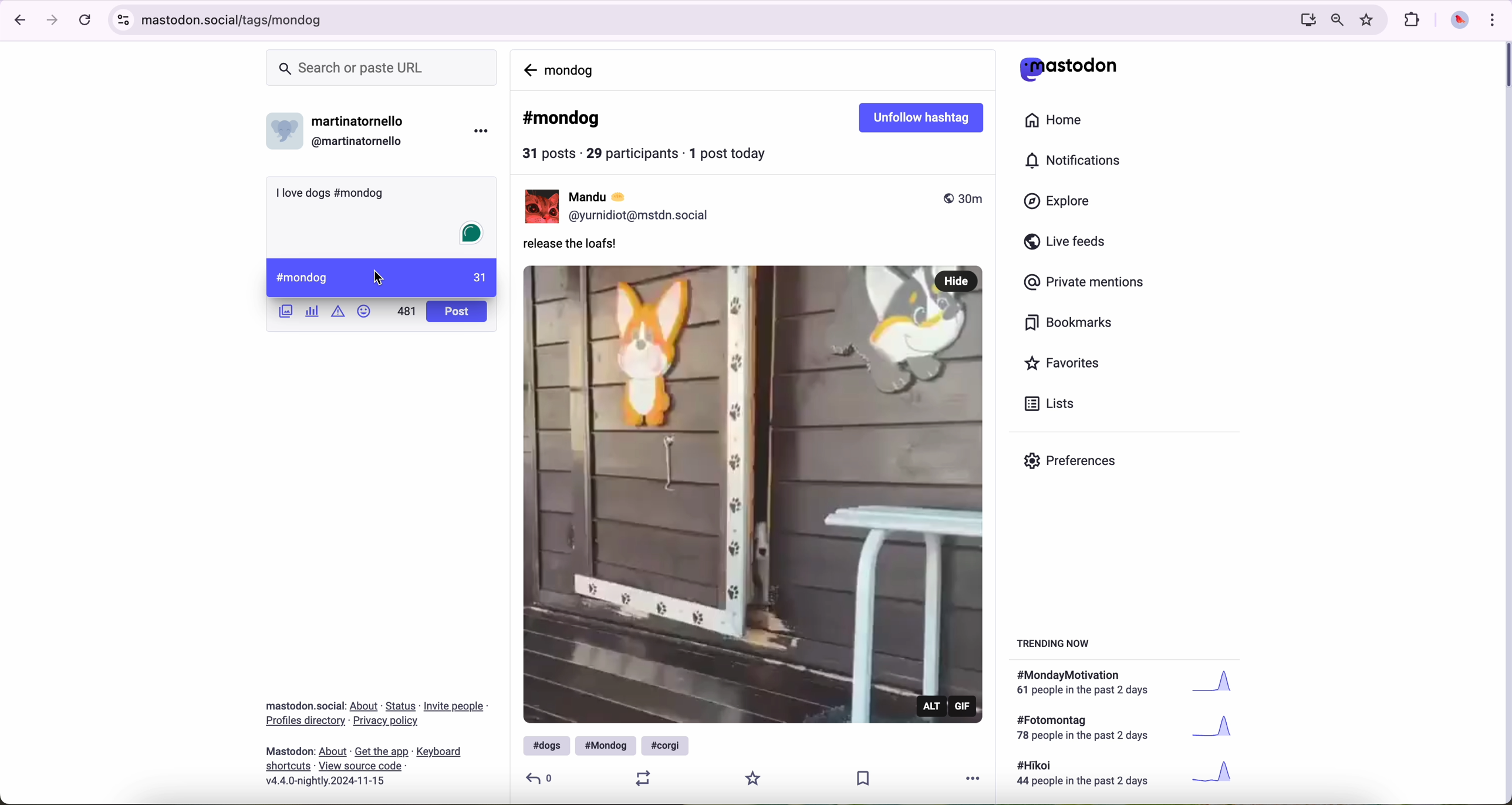 The height and width of the screenshot is (805, 1512). Describe the element at coordinates (387, 720) in the screenshot. I see `link` at that location.